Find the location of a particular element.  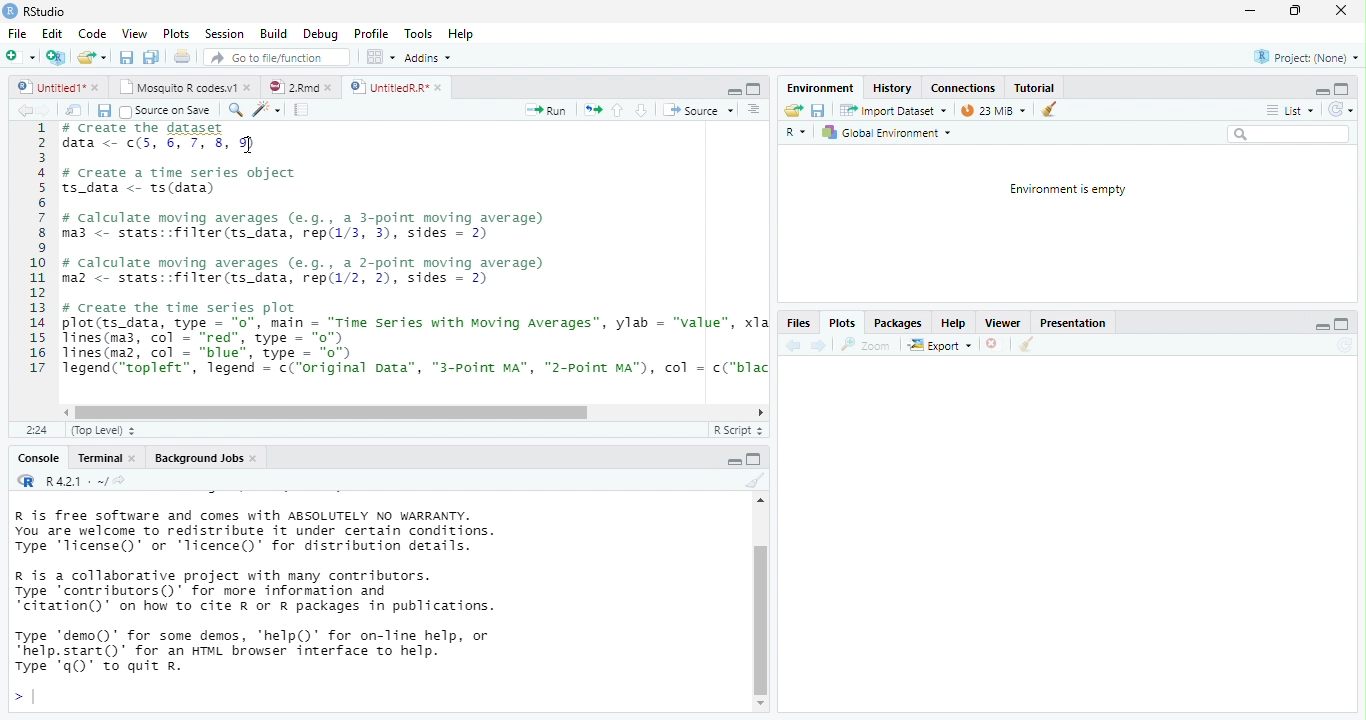

> is located at coordinates (23, 698).